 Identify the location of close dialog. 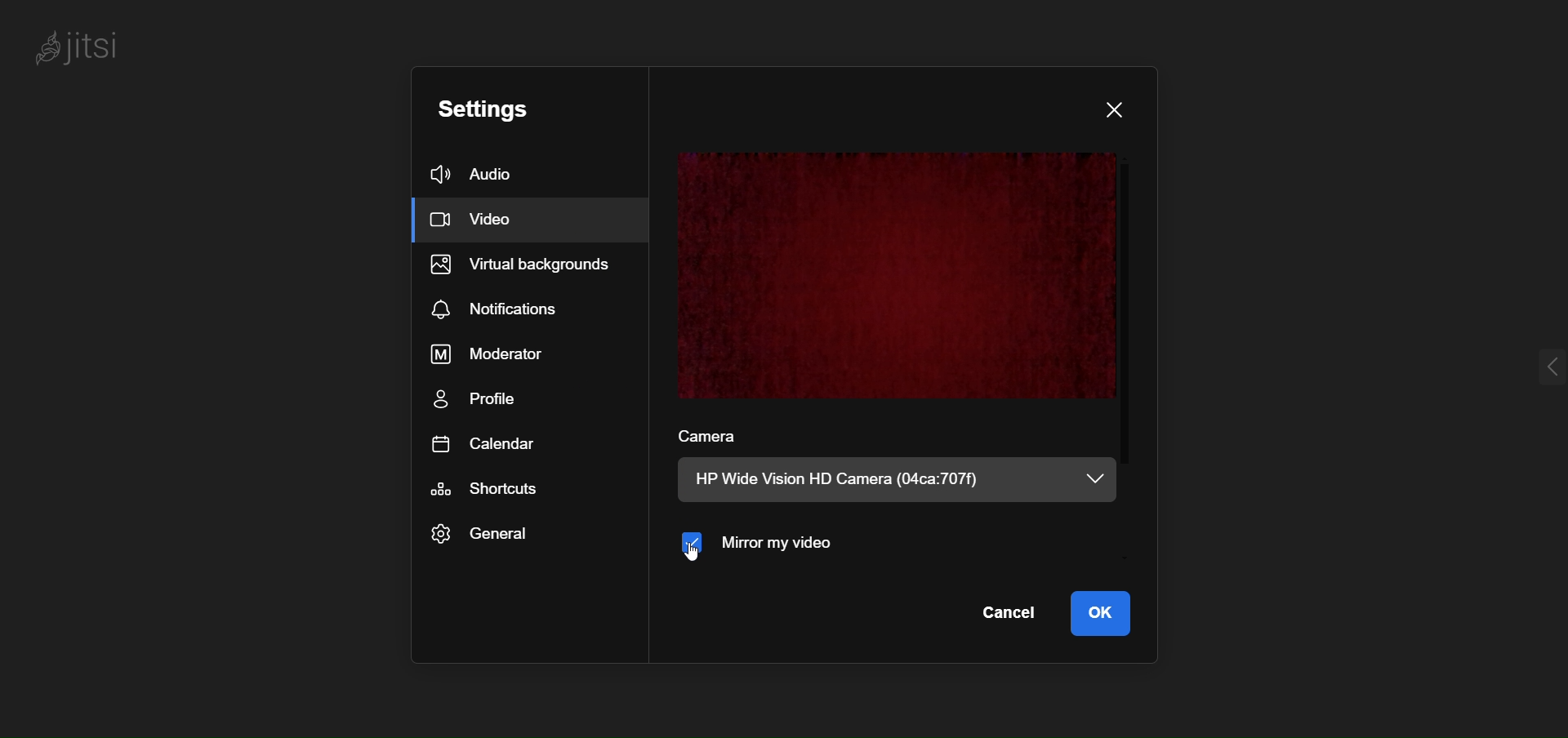
(1116, 108).